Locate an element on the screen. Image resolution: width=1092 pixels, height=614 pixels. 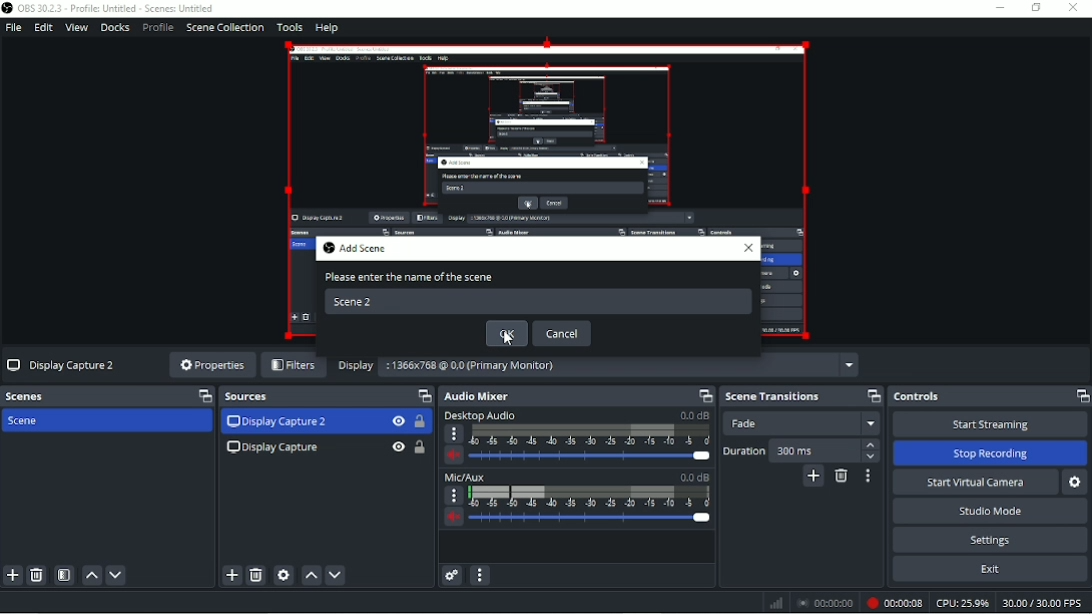
Properties is located at coordinates (210, 364).